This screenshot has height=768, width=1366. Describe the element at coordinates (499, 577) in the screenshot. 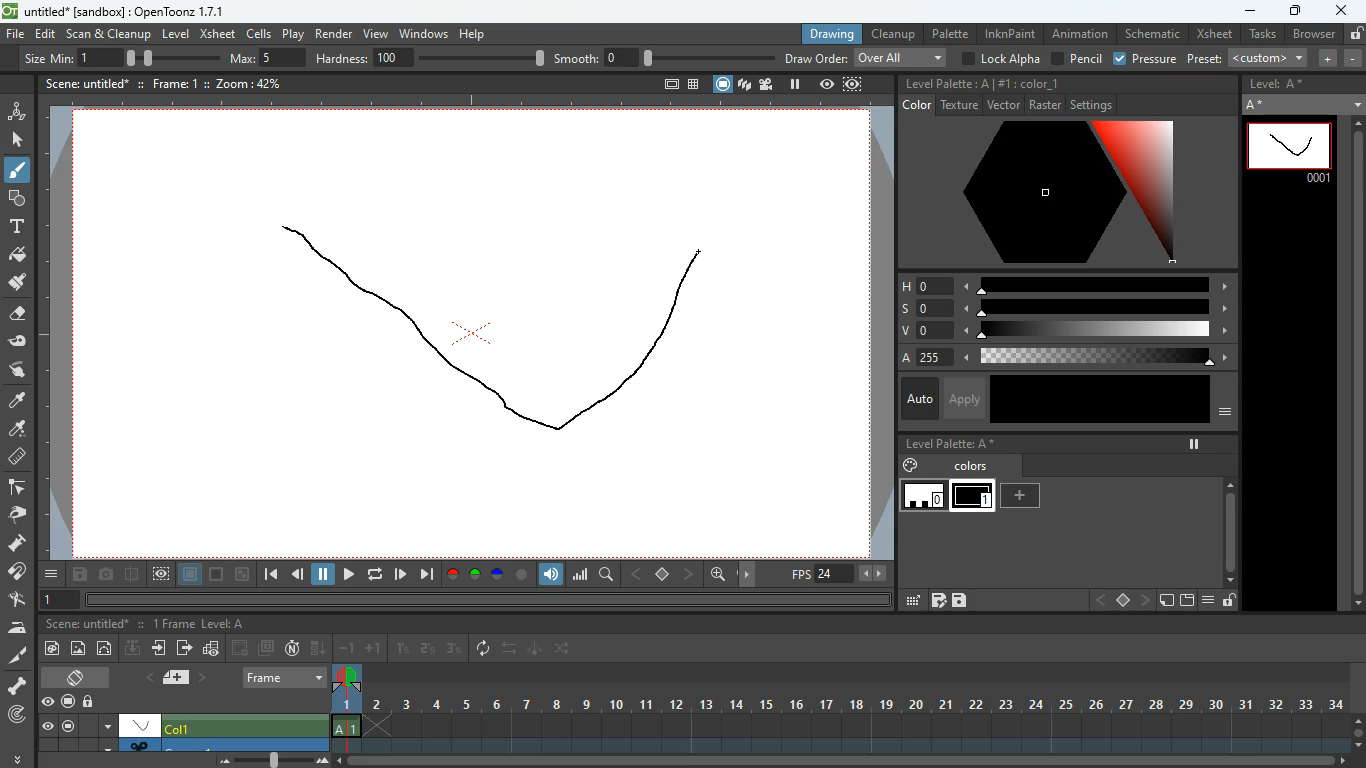

I see `blue` at that location.